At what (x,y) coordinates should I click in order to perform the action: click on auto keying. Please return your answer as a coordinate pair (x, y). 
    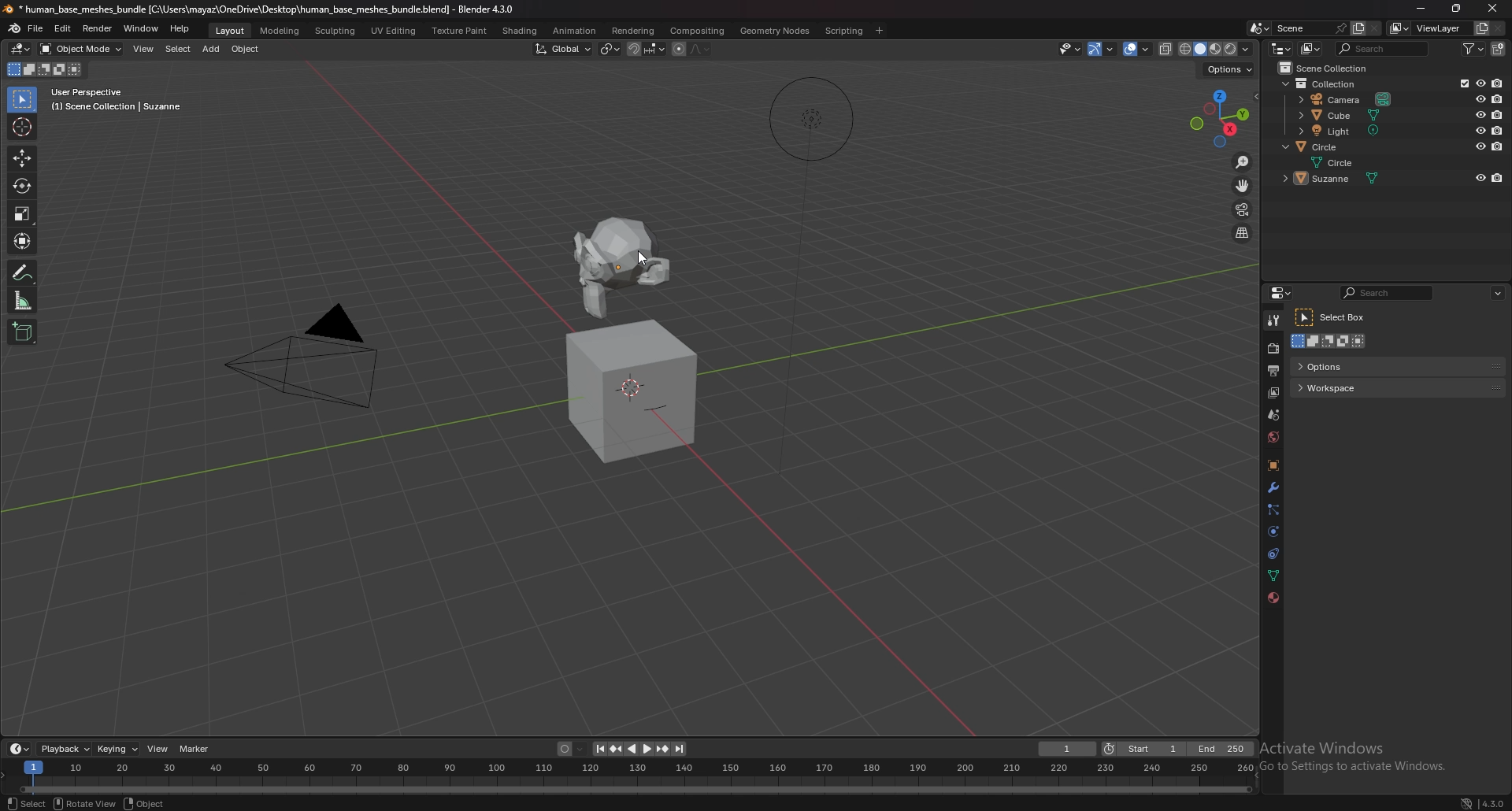
    Looking at the image, I should click on (569, 748).